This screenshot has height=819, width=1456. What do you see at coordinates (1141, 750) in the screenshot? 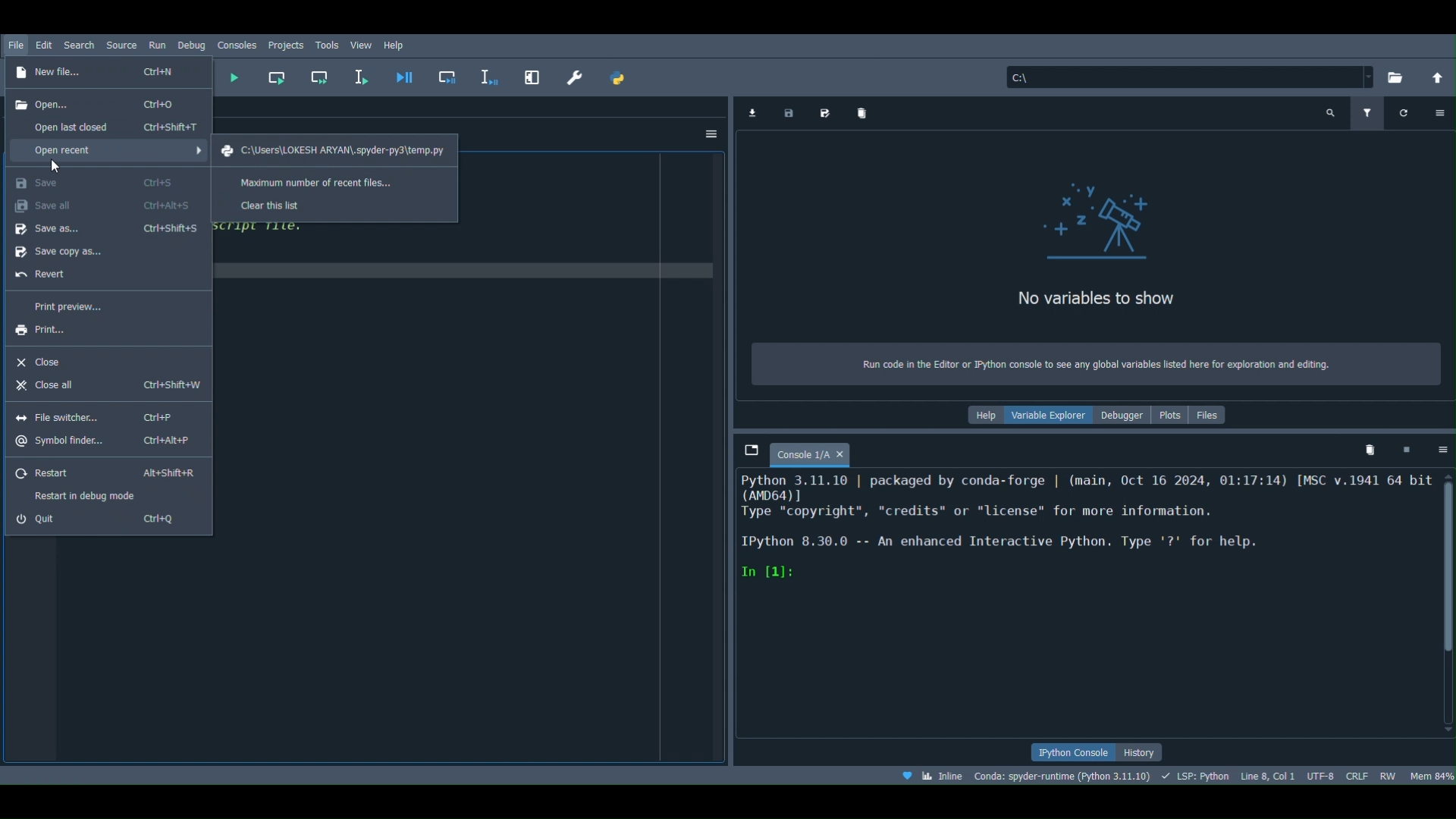
I see `History` at bounding box center [1141, 750].